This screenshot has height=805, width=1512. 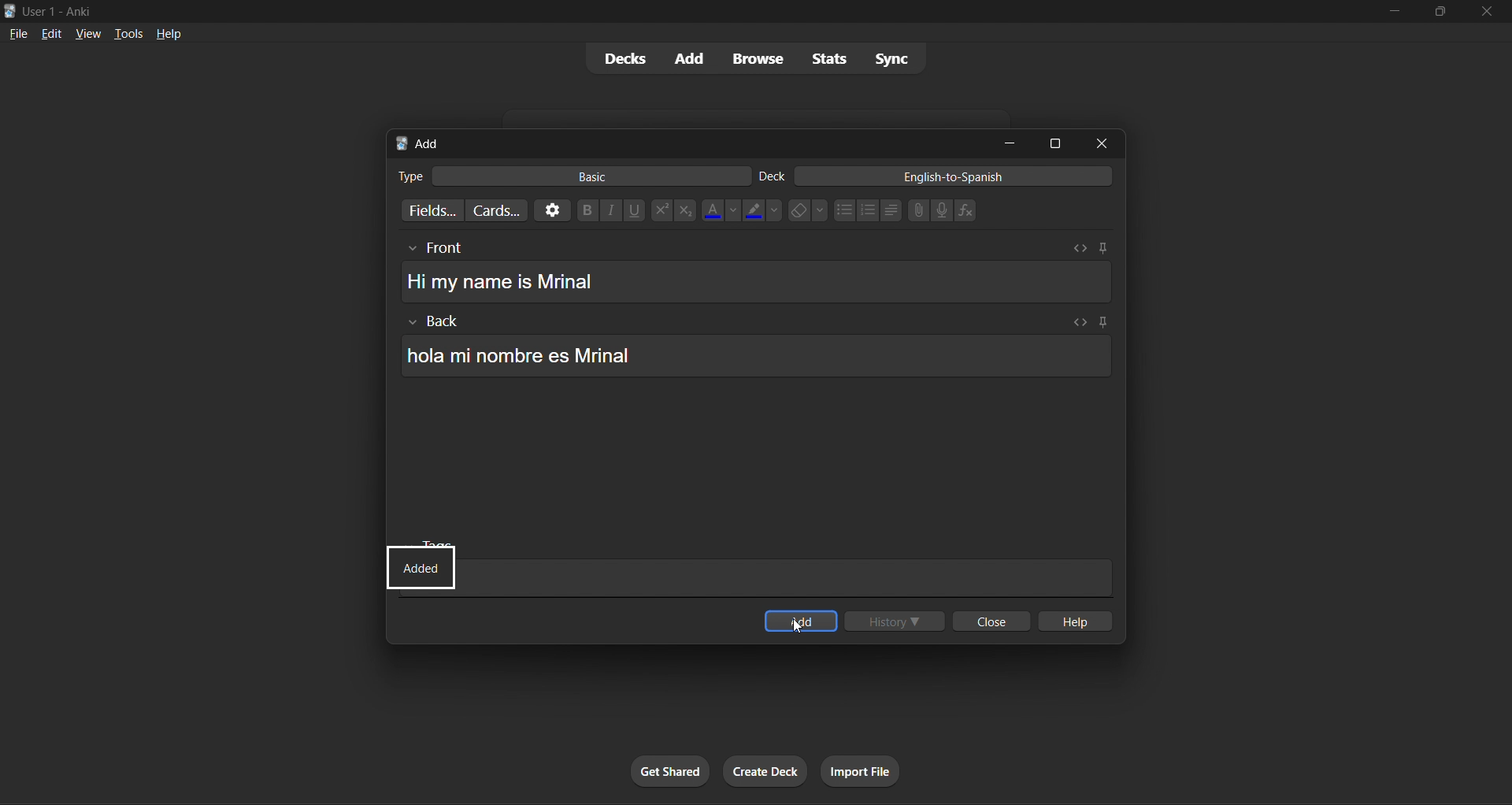 What do you see at coordinates (802, 621) in the screenshot?
I see `add` at bounding box center [802, 621].